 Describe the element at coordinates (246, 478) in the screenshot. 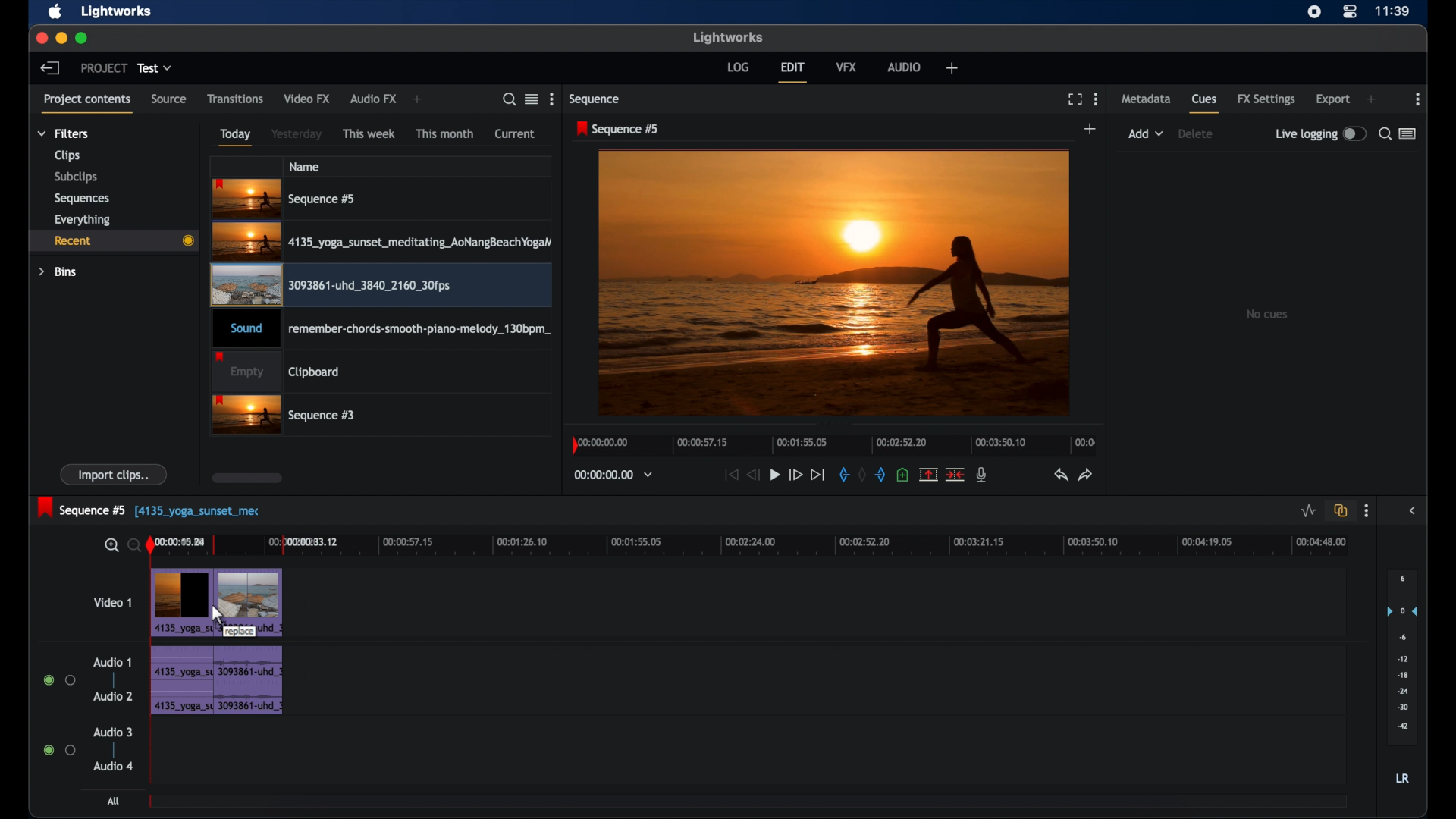

I see `scroll box` at that location.